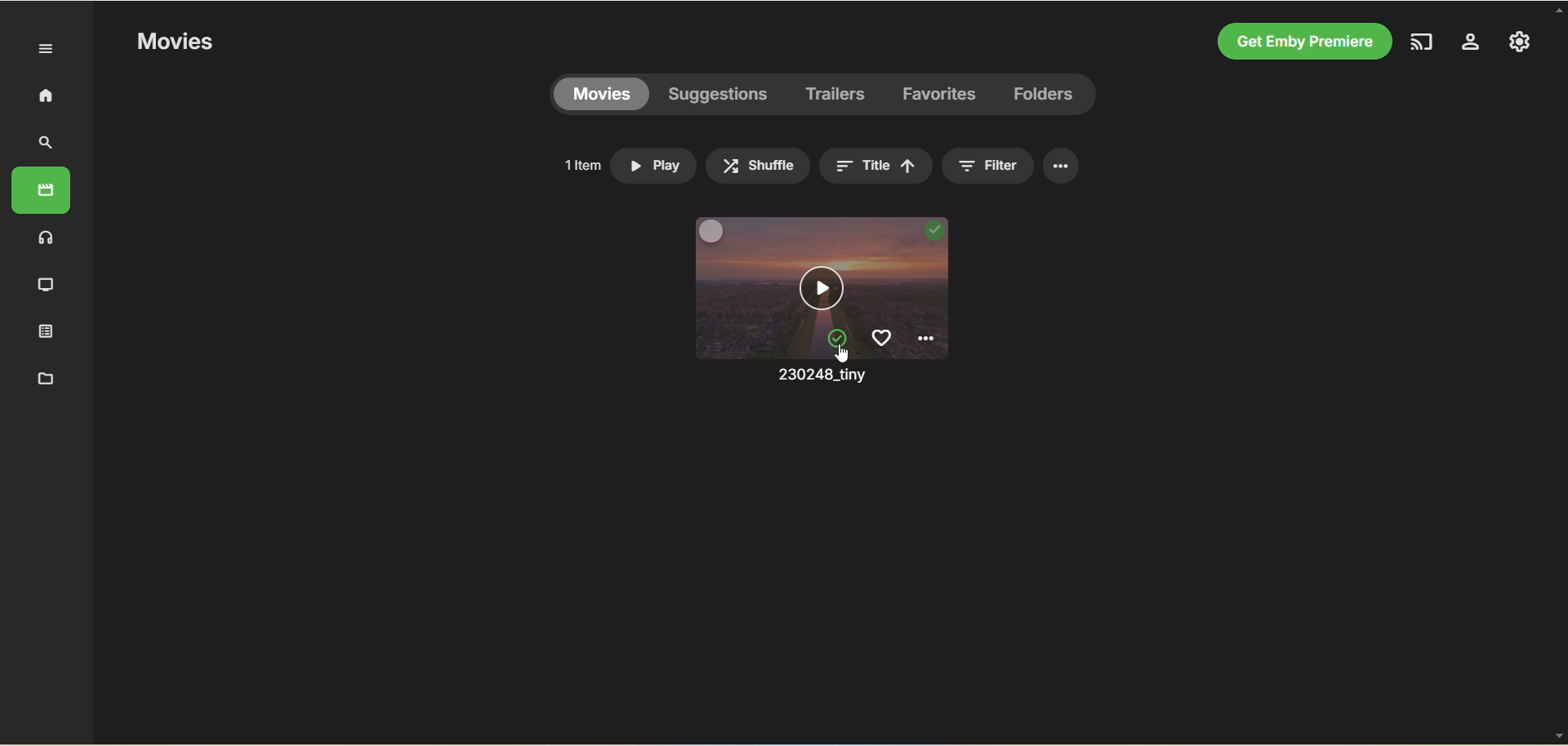 This screenshot has height=746, width=1568. What do you see at coordinates (992, 166) in the screenshot?
I see `filter` at bounding box center [992, 166].